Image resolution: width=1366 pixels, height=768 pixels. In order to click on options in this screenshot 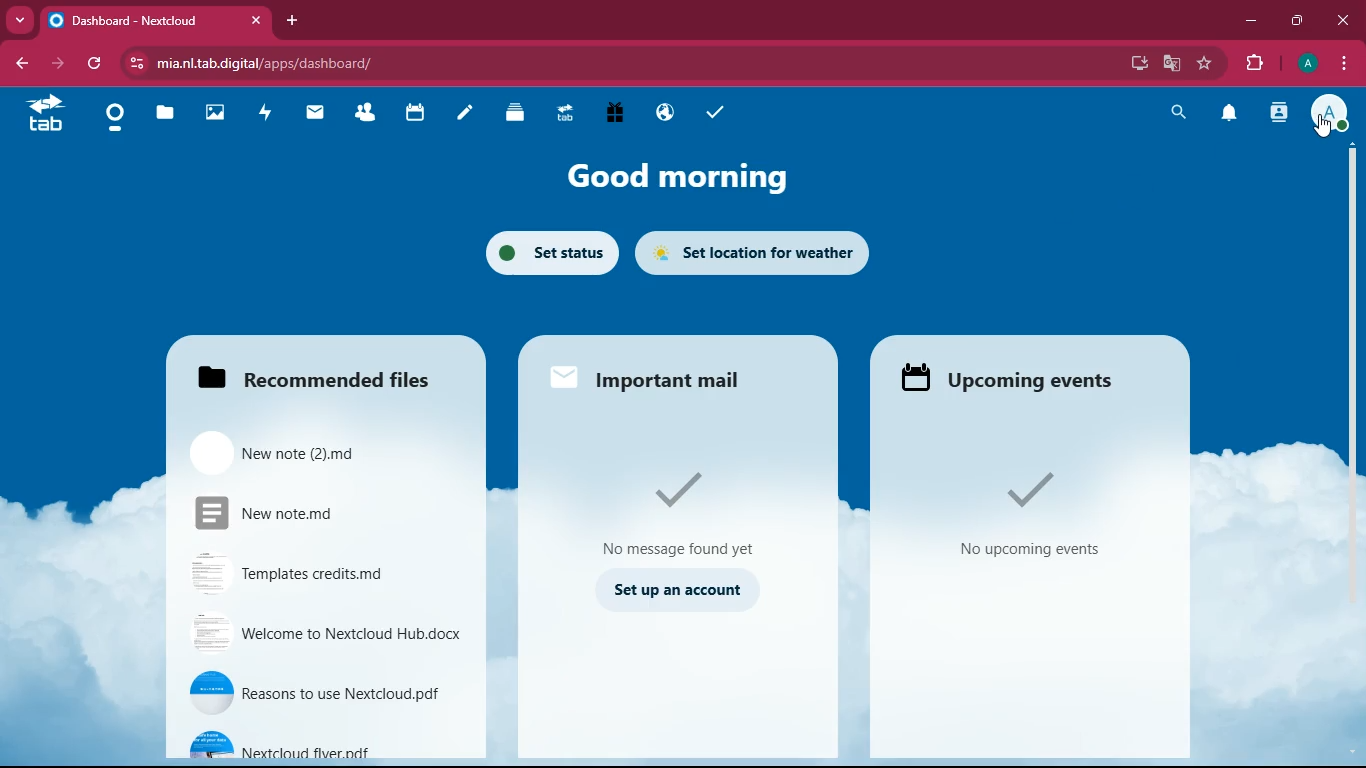, I will do `click(1345, 63)`.